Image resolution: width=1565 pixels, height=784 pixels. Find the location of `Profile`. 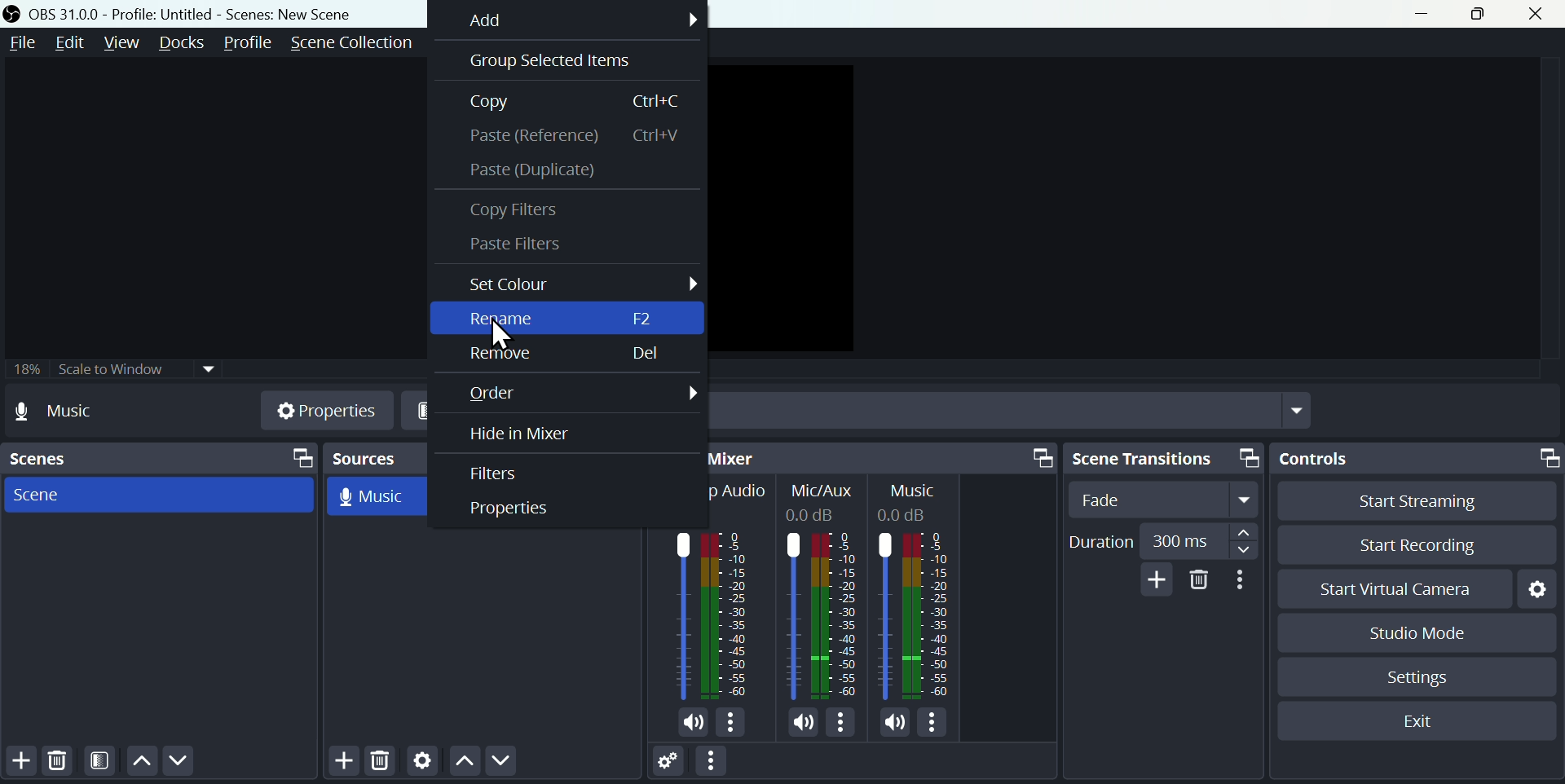

Profile is located at coordinates (247, 41).